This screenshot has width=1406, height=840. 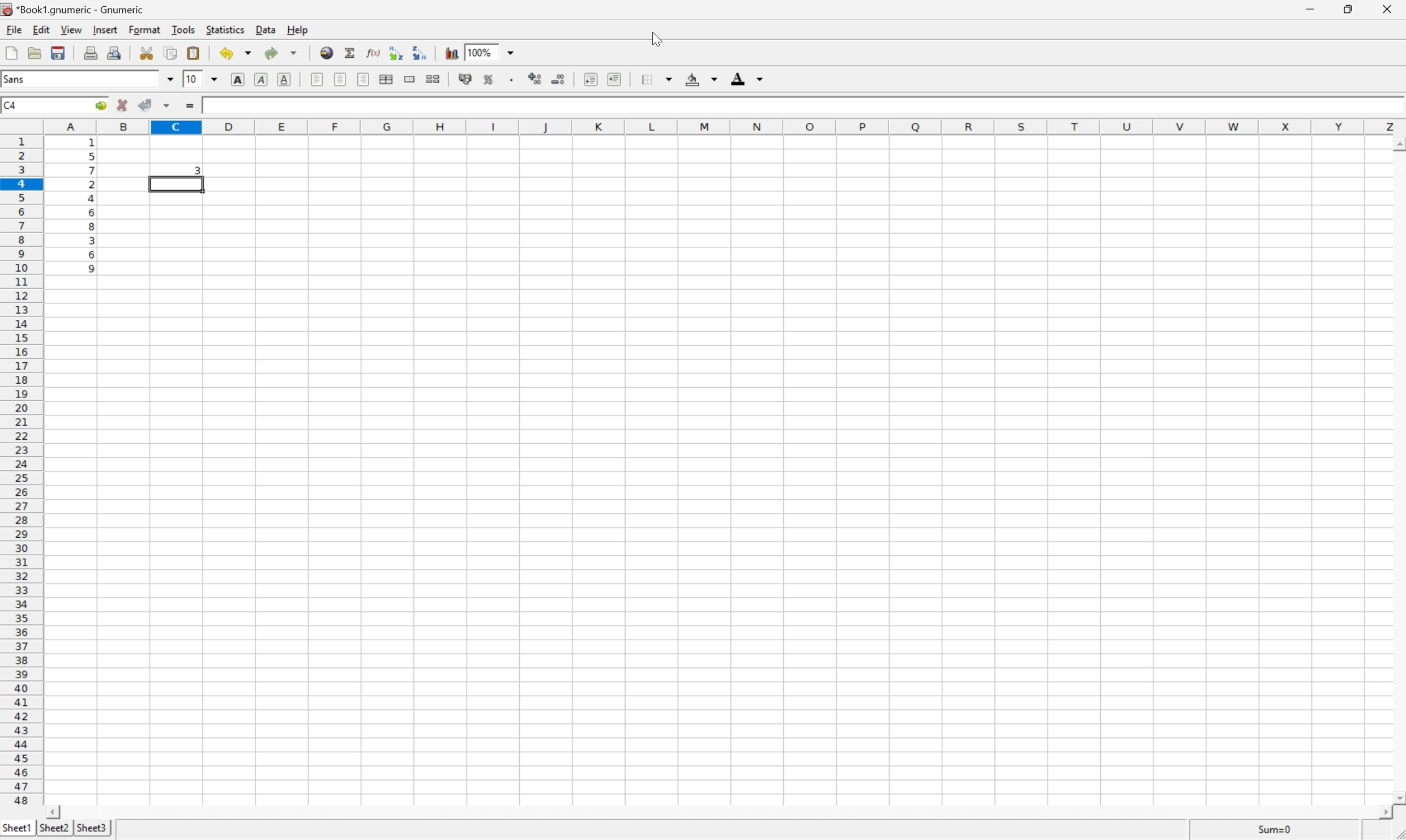 What do you see at coordinates (170, 80) in the screenshot?
I see `drop down` at bounding box center [170, 80].